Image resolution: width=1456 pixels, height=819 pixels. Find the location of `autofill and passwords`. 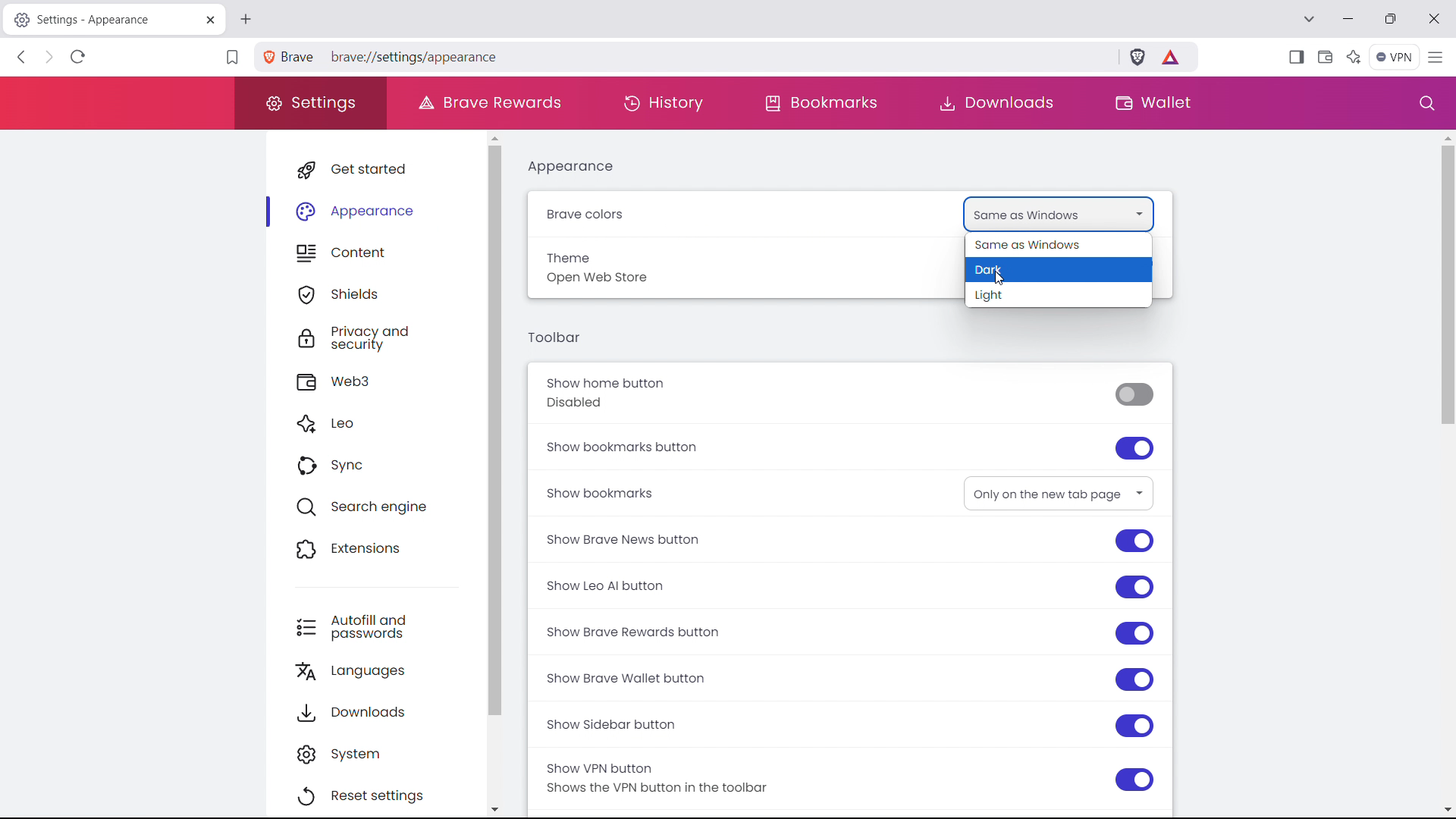

autofill and passwords is located at coordinates (384, 625).